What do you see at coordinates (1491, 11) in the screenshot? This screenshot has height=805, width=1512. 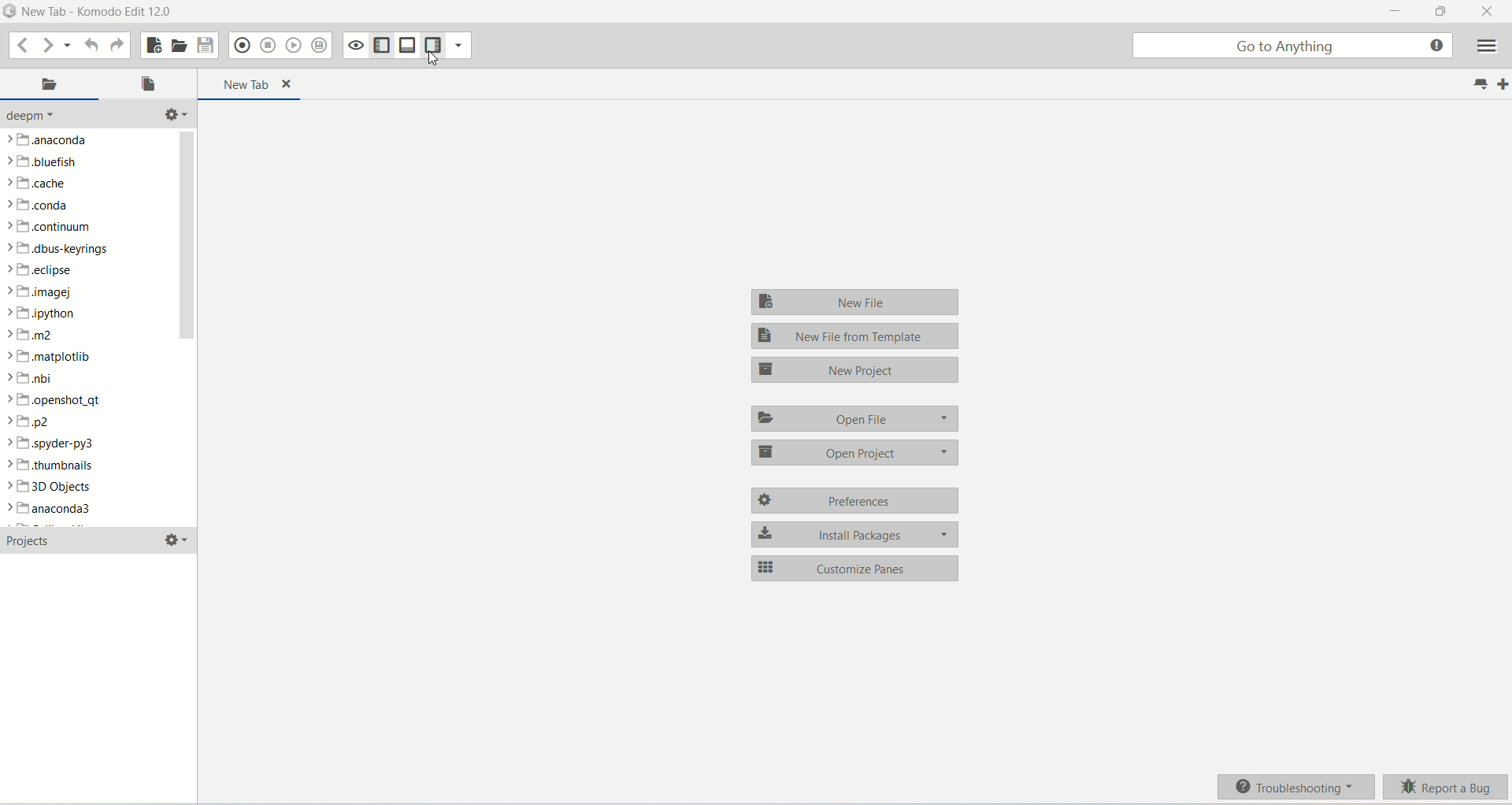 I see `close` at bounding box center [1491, 11].